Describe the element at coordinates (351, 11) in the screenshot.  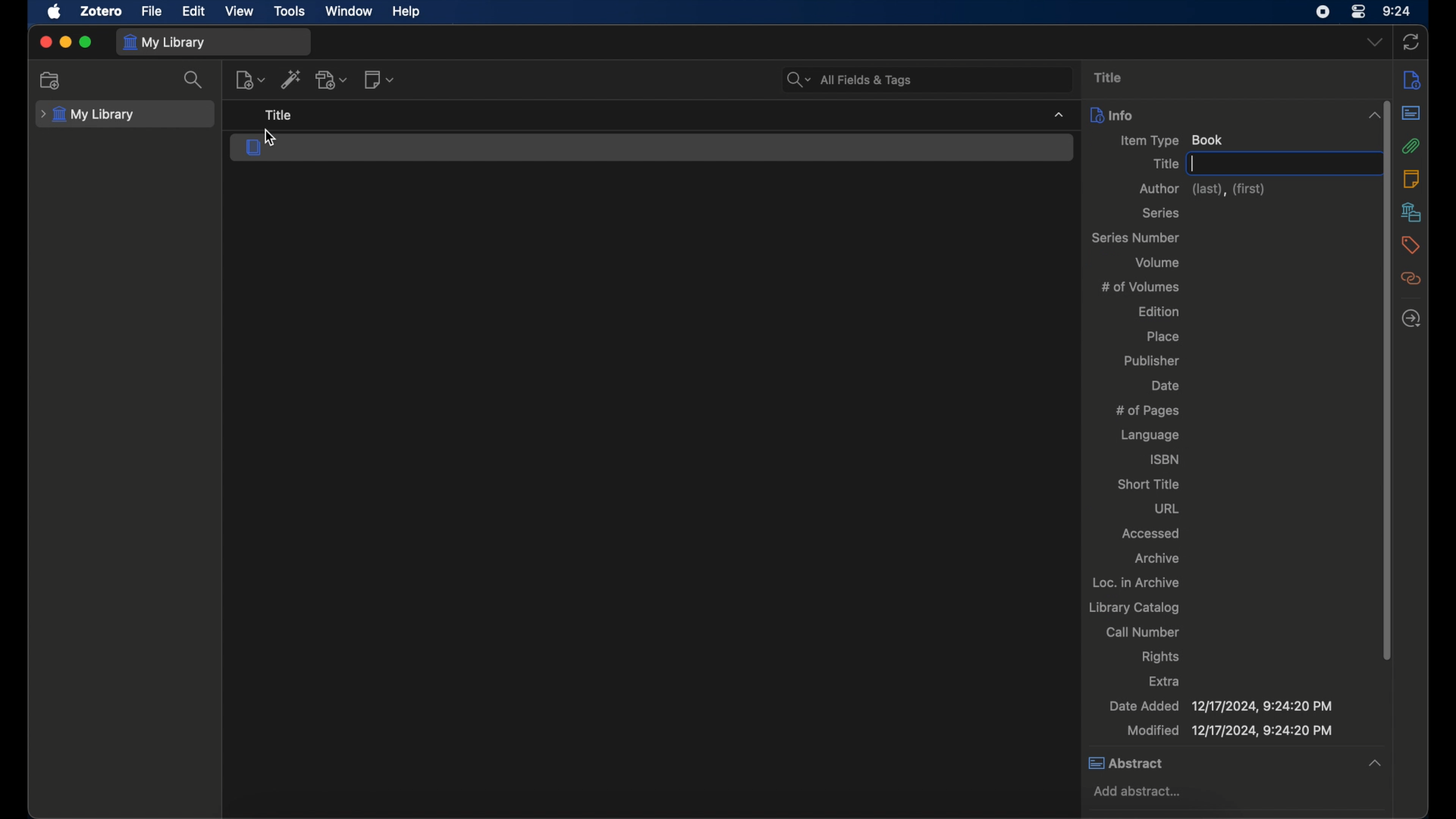
I see `window` at that location.